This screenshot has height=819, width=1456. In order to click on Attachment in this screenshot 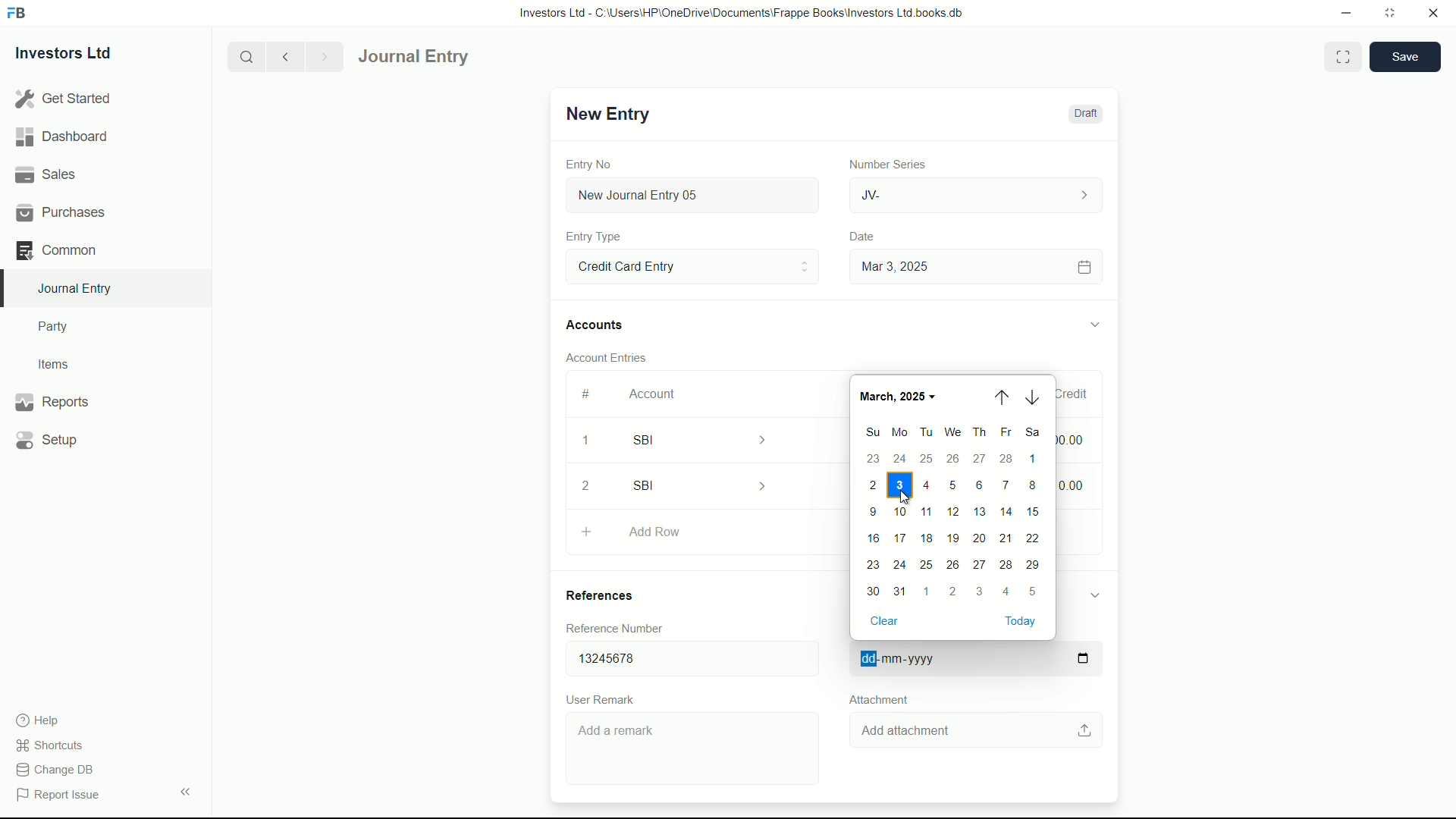, I will do `click(878, 699)`.